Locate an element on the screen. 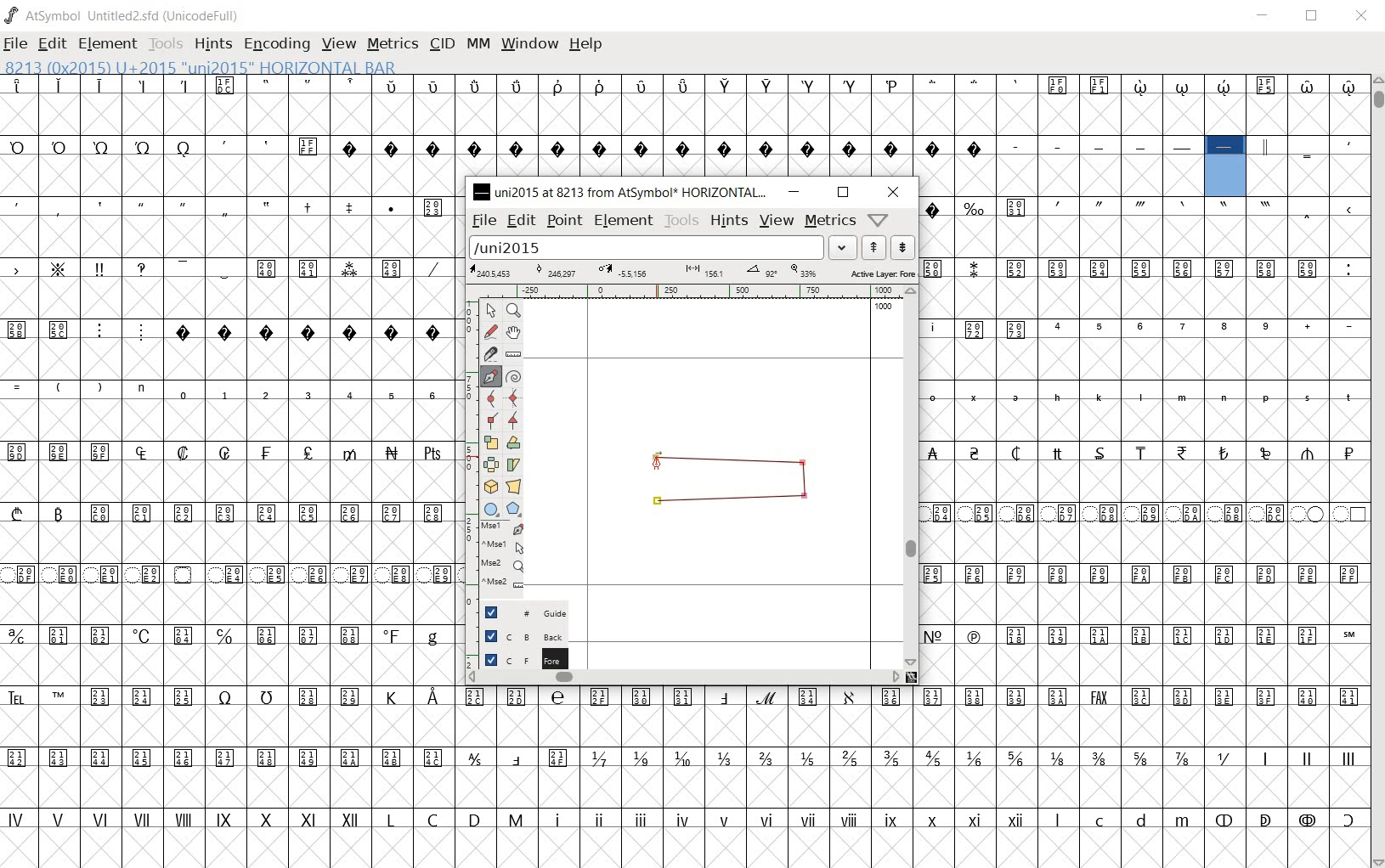 The height and width of the screenshot is (868, 1385). SCROLLBAR is located at coordinates (1378, 471).